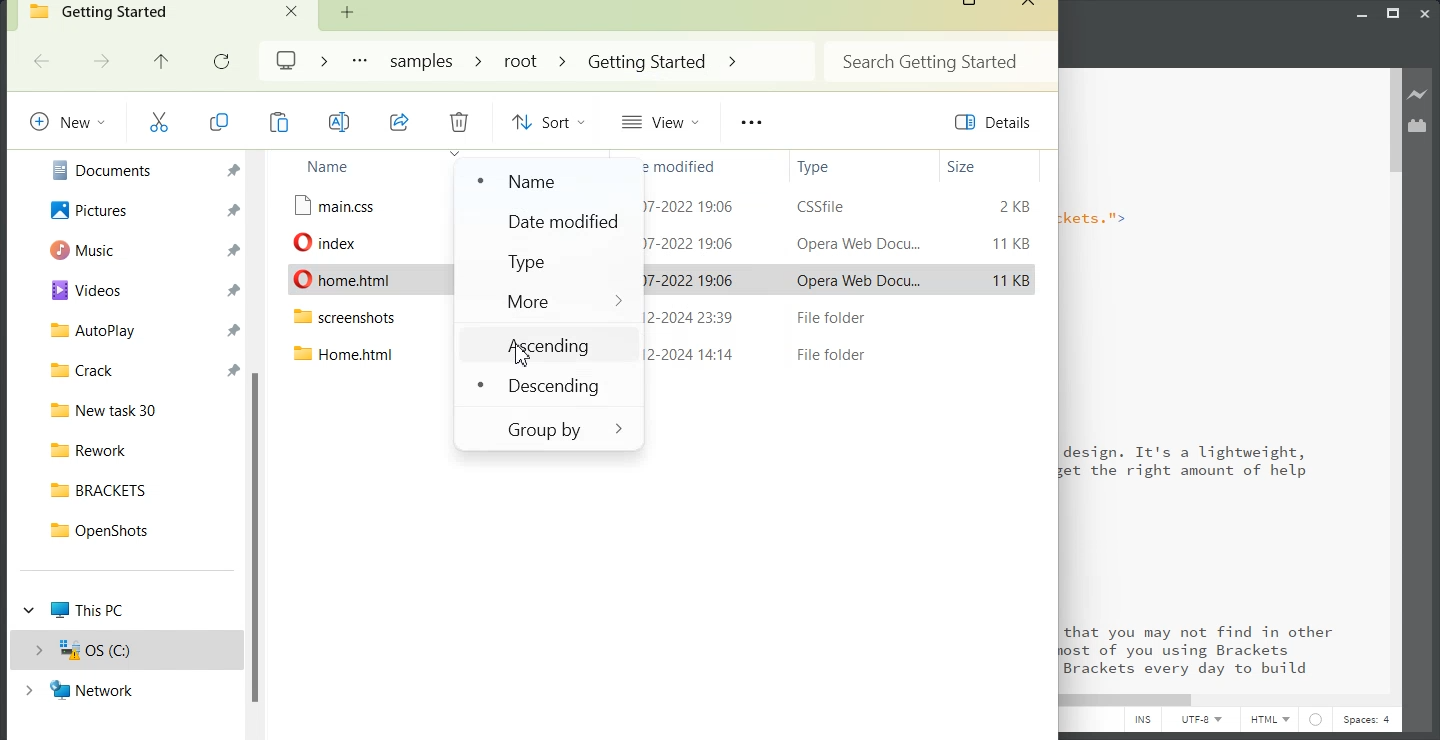  What do you see at coordinates (693, 206) in the screenshot?
I see `date modified` at bounding box center [693, 206].